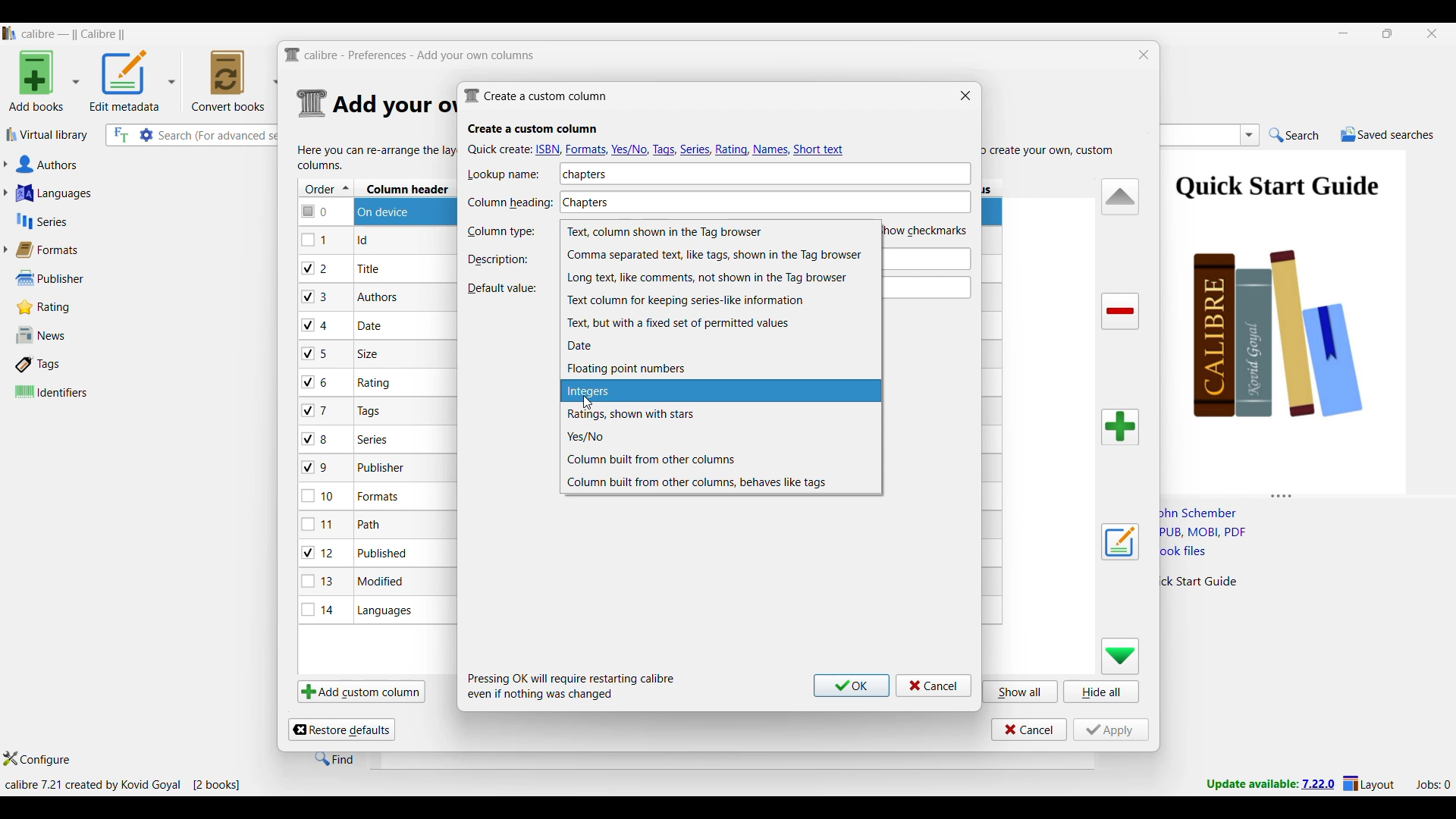 Image resolution: width=1456 pixels, height=819 pixels. Describe the element at coordinates (719, 324) in the screenshot. I see `Text` at that location.